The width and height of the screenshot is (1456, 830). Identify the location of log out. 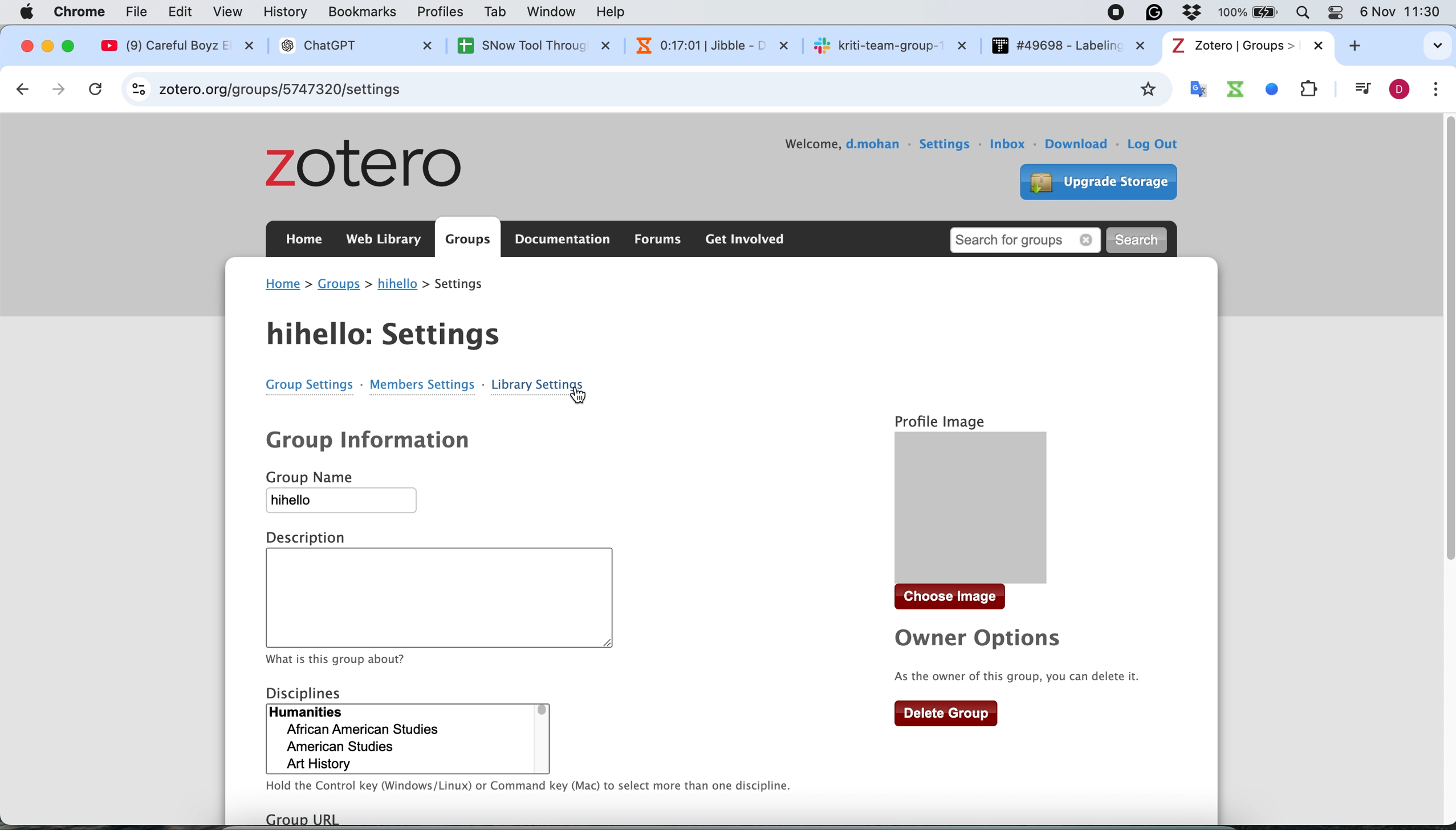
(1160, 146).